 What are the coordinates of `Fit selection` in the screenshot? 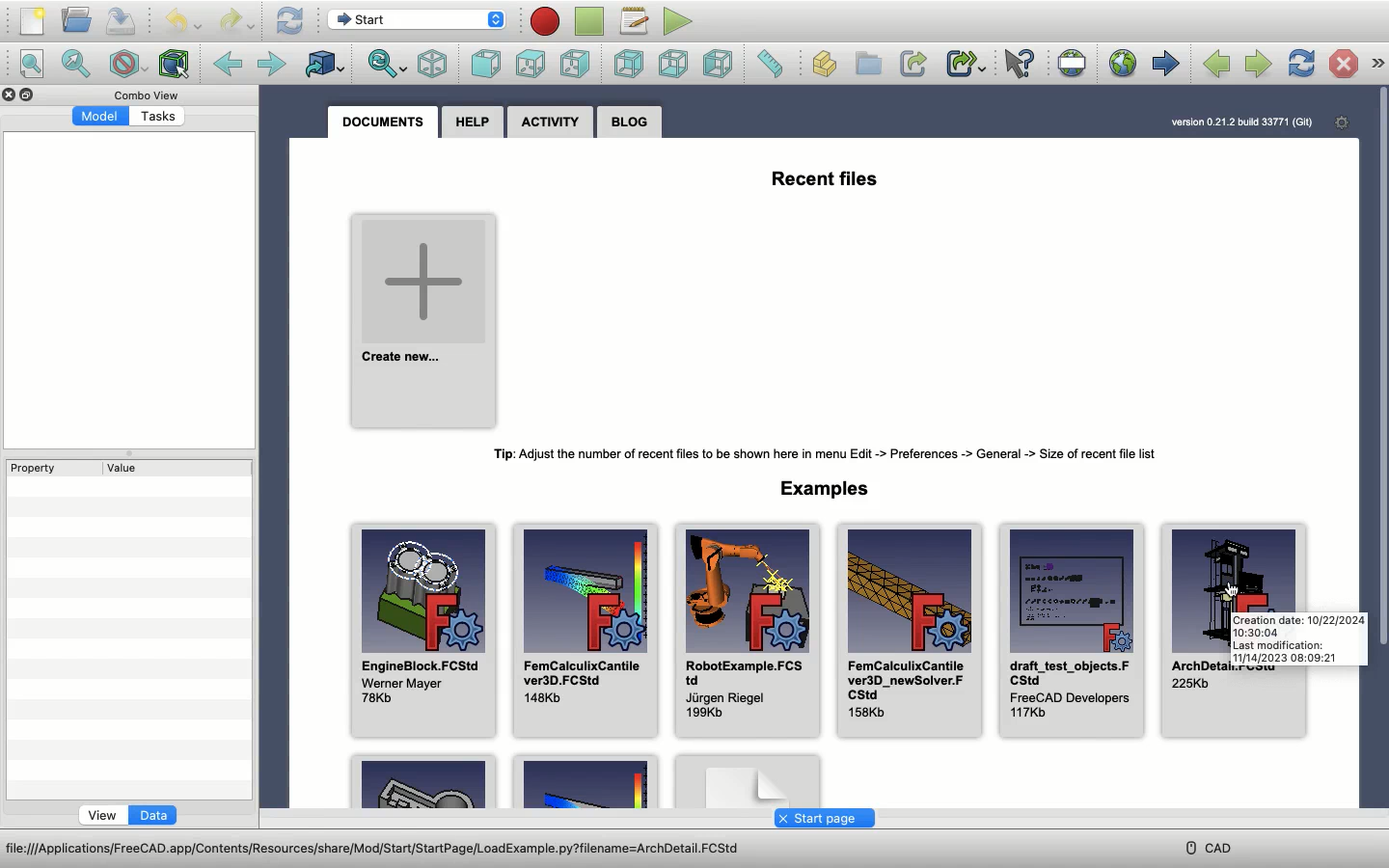 It's located at (78, 66).